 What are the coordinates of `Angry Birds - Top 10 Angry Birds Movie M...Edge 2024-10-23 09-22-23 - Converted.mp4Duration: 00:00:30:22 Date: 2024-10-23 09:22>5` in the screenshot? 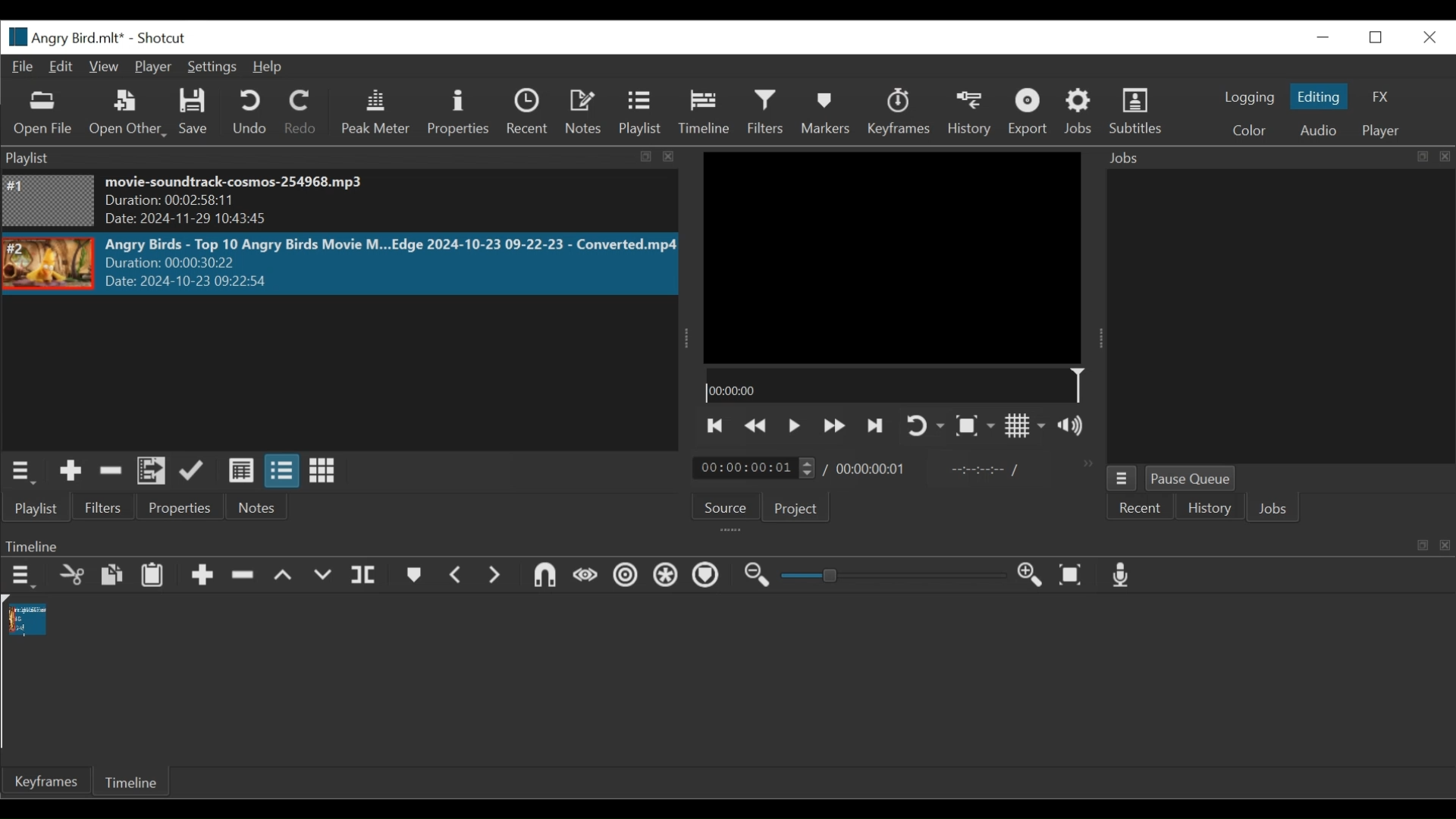 It's located at (390, 264).